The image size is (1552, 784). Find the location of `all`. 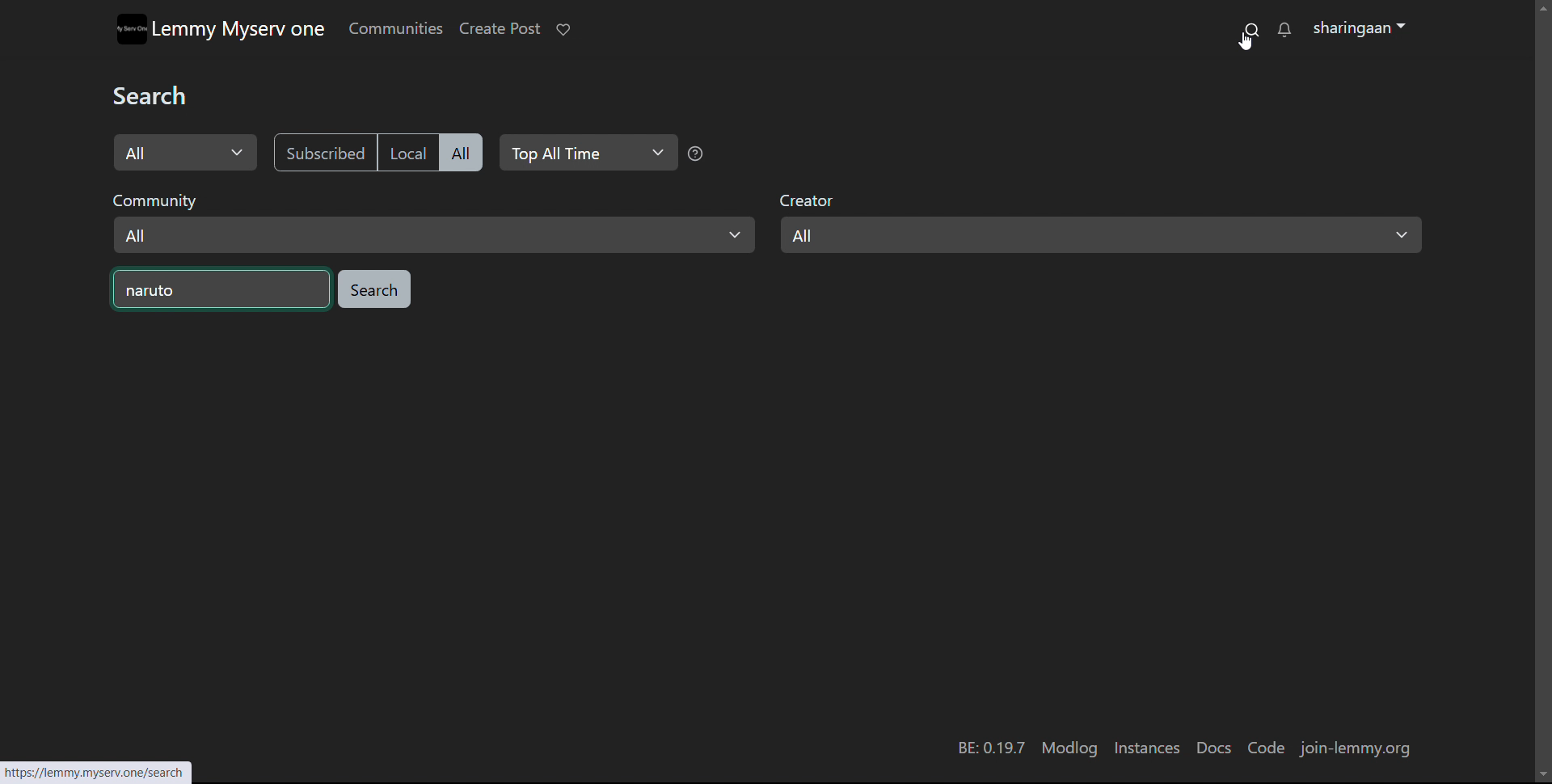

all is located at coordinates (461, 152).